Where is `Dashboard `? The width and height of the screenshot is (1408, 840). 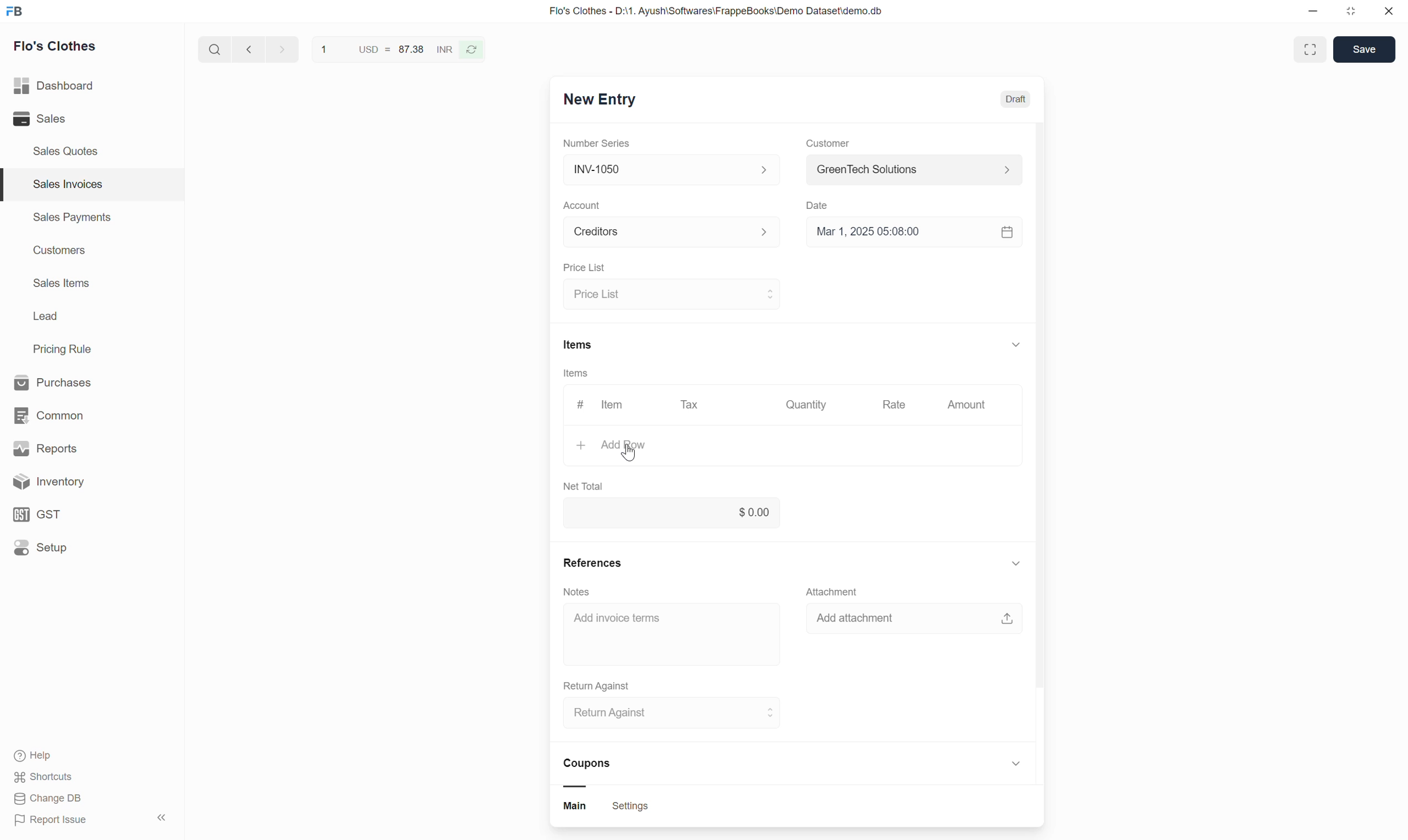 Dashboard  is located at coordinates (74, 86).